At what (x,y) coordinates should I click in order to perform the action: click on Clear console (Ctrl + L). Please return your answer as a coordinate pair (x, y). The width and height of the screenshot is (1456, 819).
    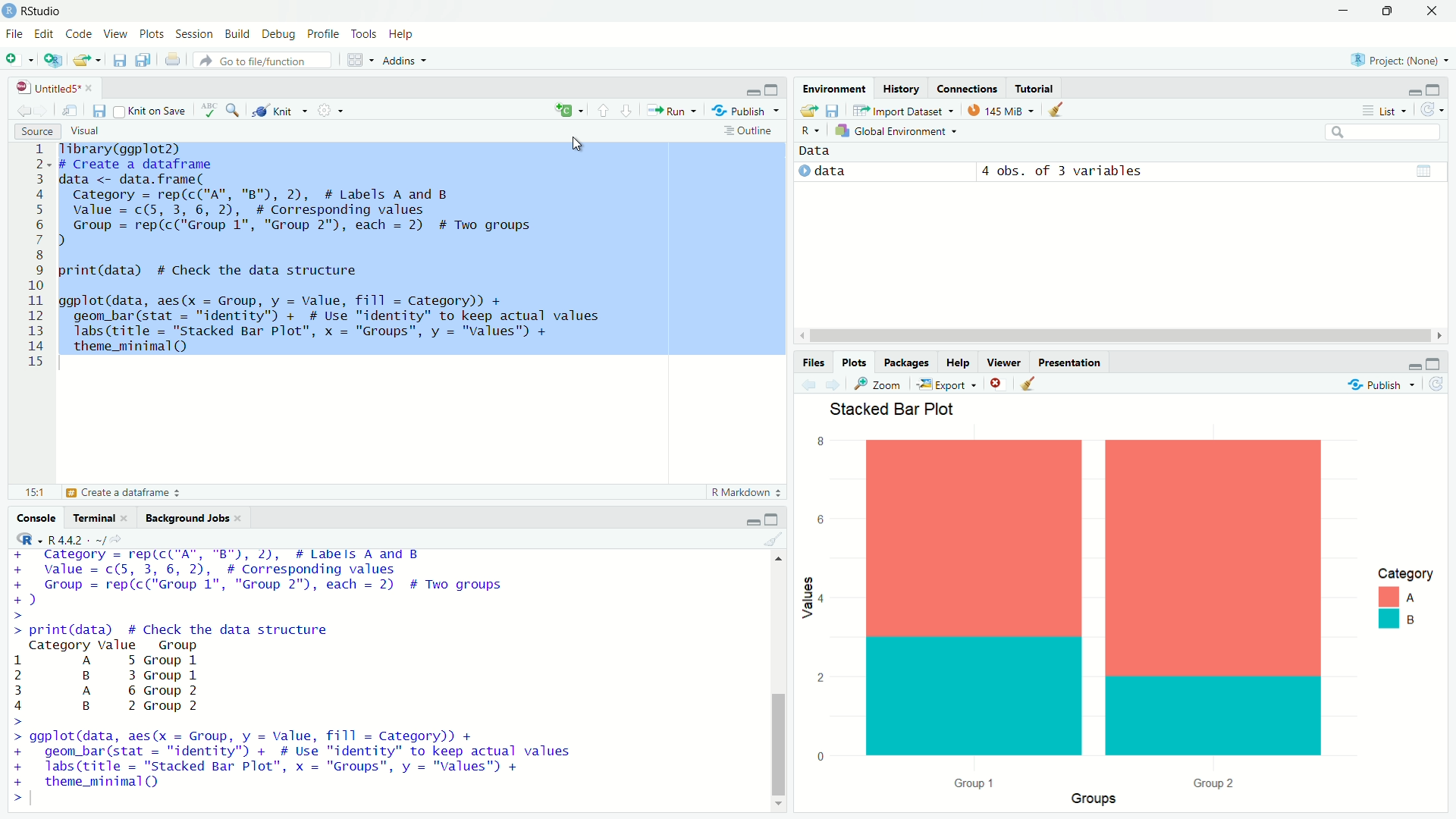
    Looking at the image, I should click on (1025, 384).